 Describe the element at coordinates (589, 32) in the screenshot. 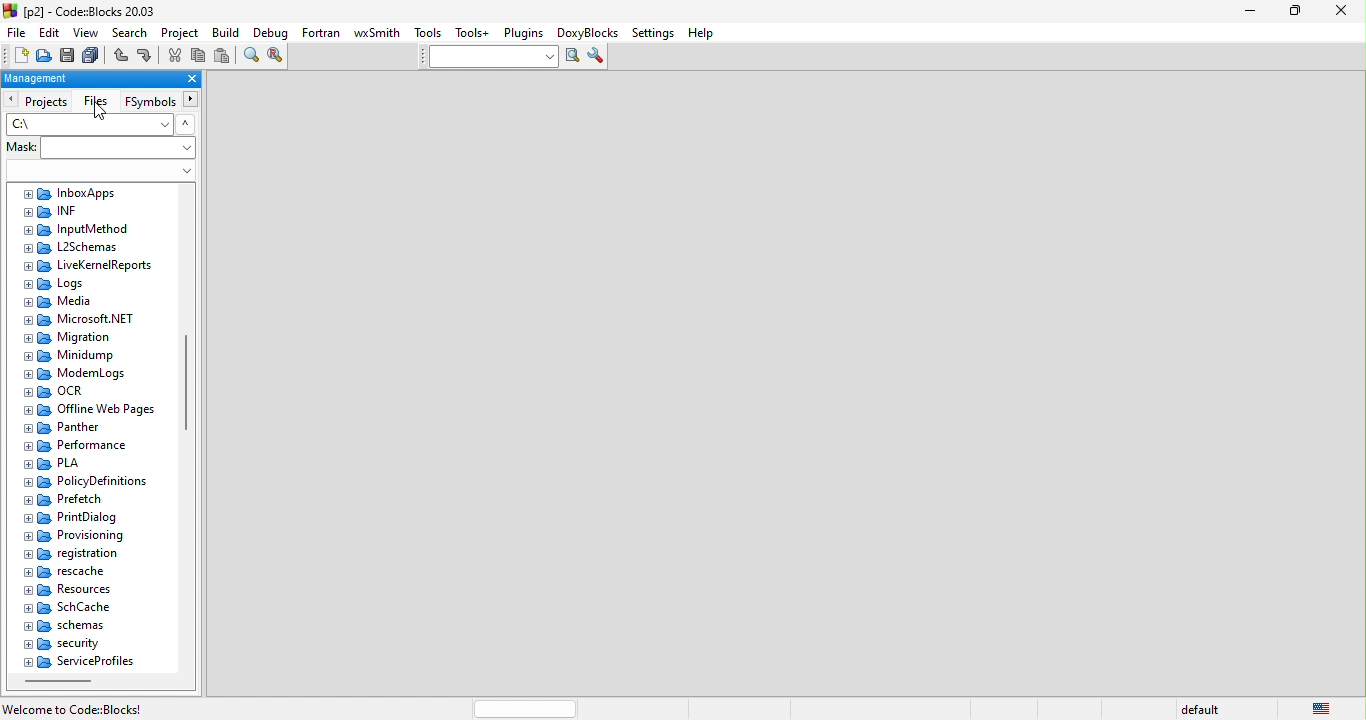

I see `doxyblocks` at that location.